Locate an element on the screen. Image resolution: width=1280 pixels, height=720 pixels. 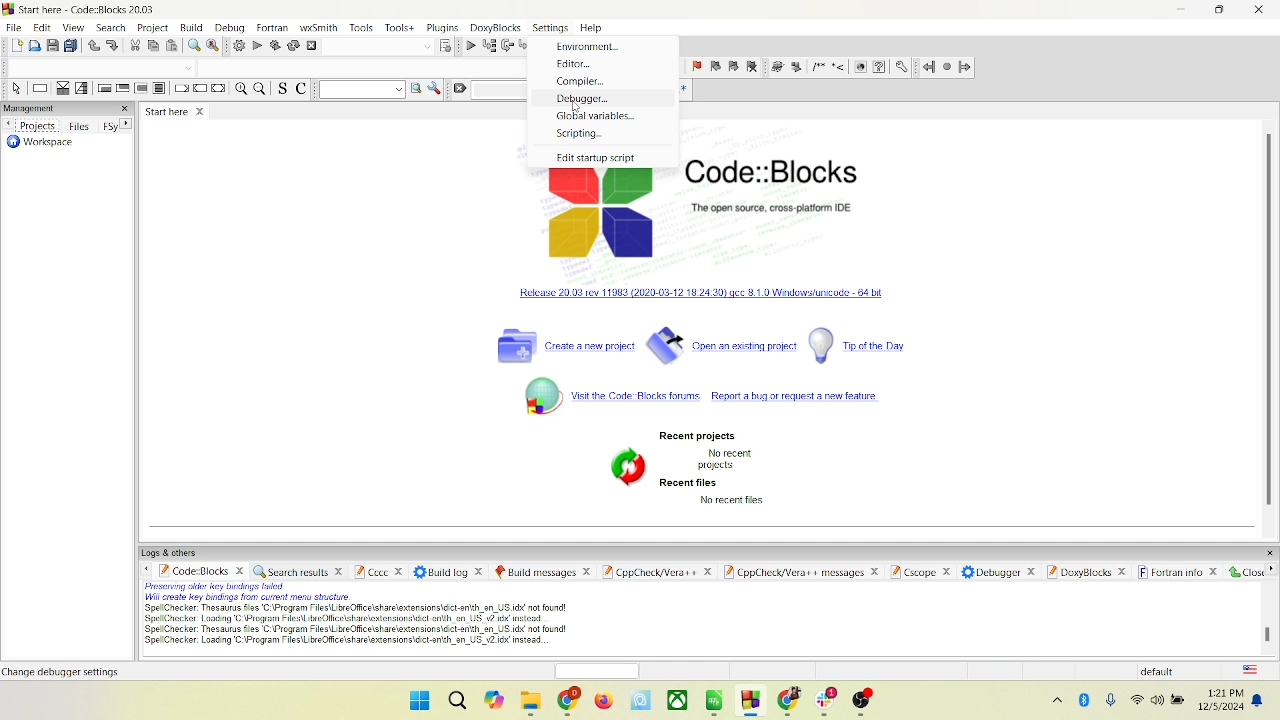
wxSmith is located at coordinates (320, 27).